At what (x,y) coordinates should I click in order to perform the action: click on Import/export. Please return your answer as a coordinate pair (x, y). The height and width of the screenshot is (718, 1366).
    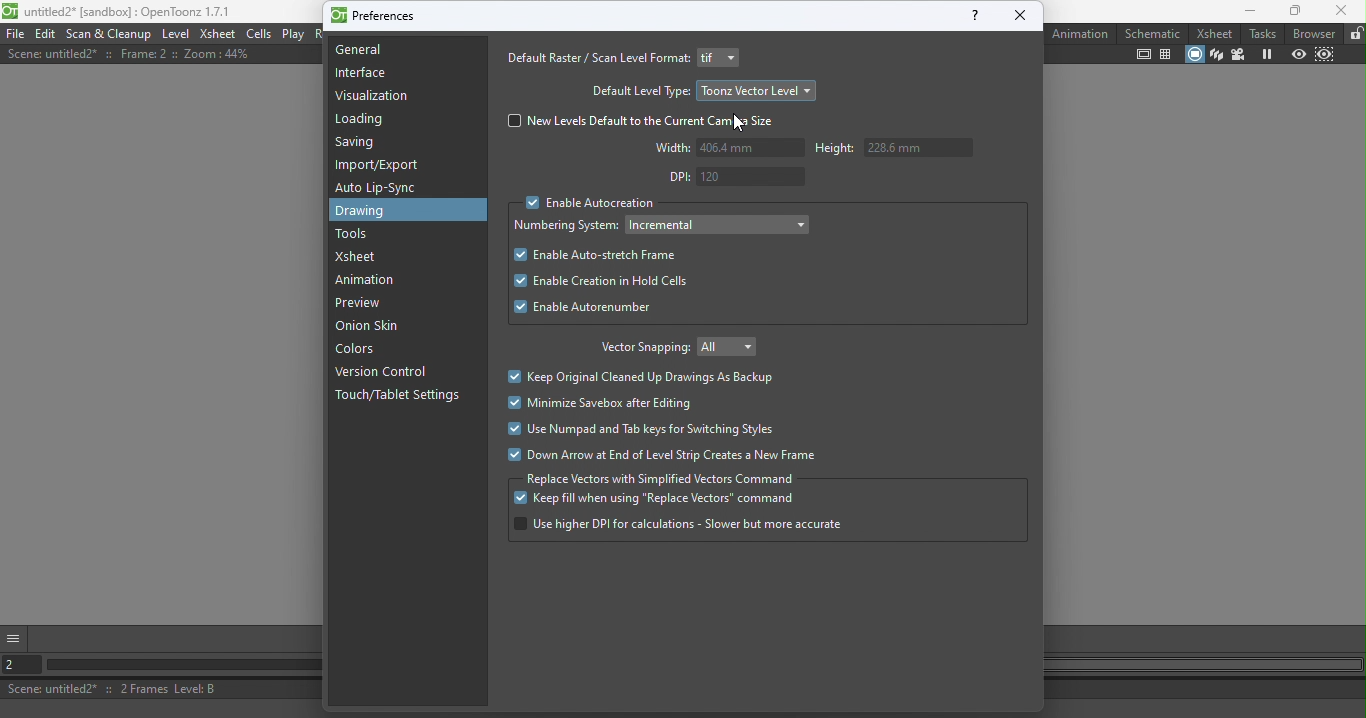
    Looking at the image, I should click on (382, 165).